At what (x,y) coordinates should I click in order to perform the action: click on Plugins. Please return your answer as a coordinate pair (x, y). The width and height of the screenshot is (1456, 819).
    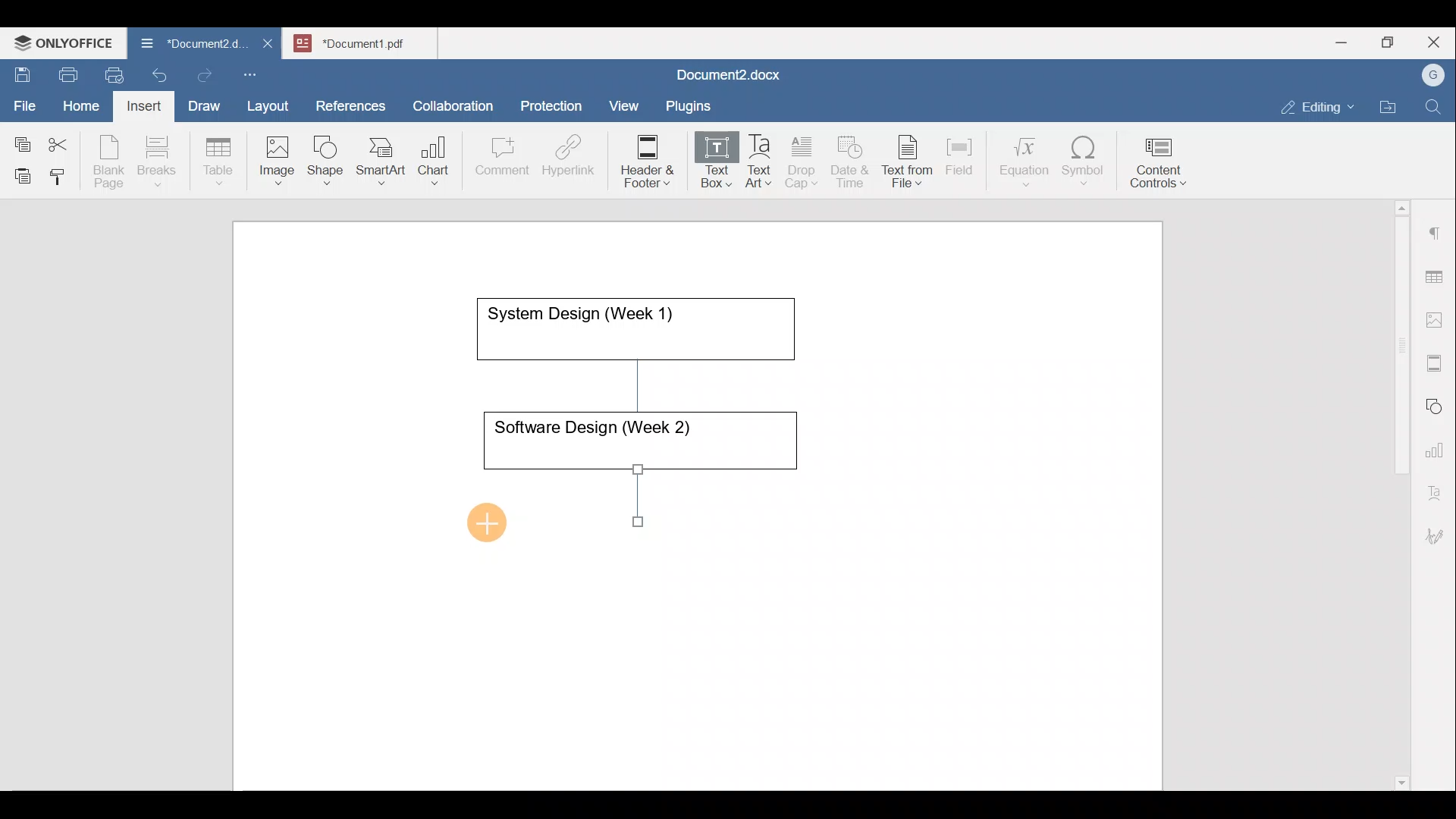
    Looking at the image, I should click on (693, 104).